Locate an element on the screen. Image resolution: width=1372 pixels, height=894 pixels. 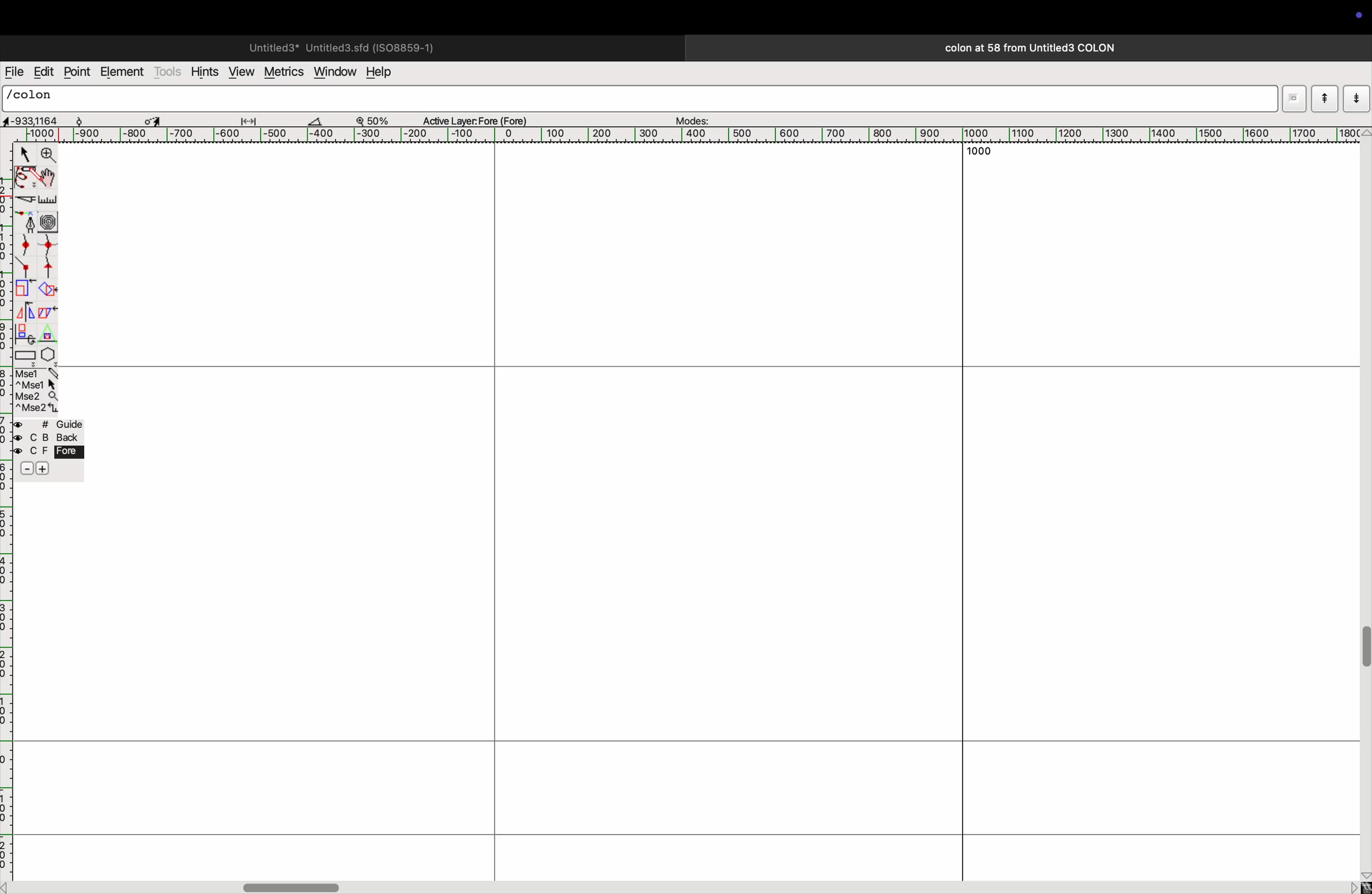
toogle is located at coordinates (1363, 654).